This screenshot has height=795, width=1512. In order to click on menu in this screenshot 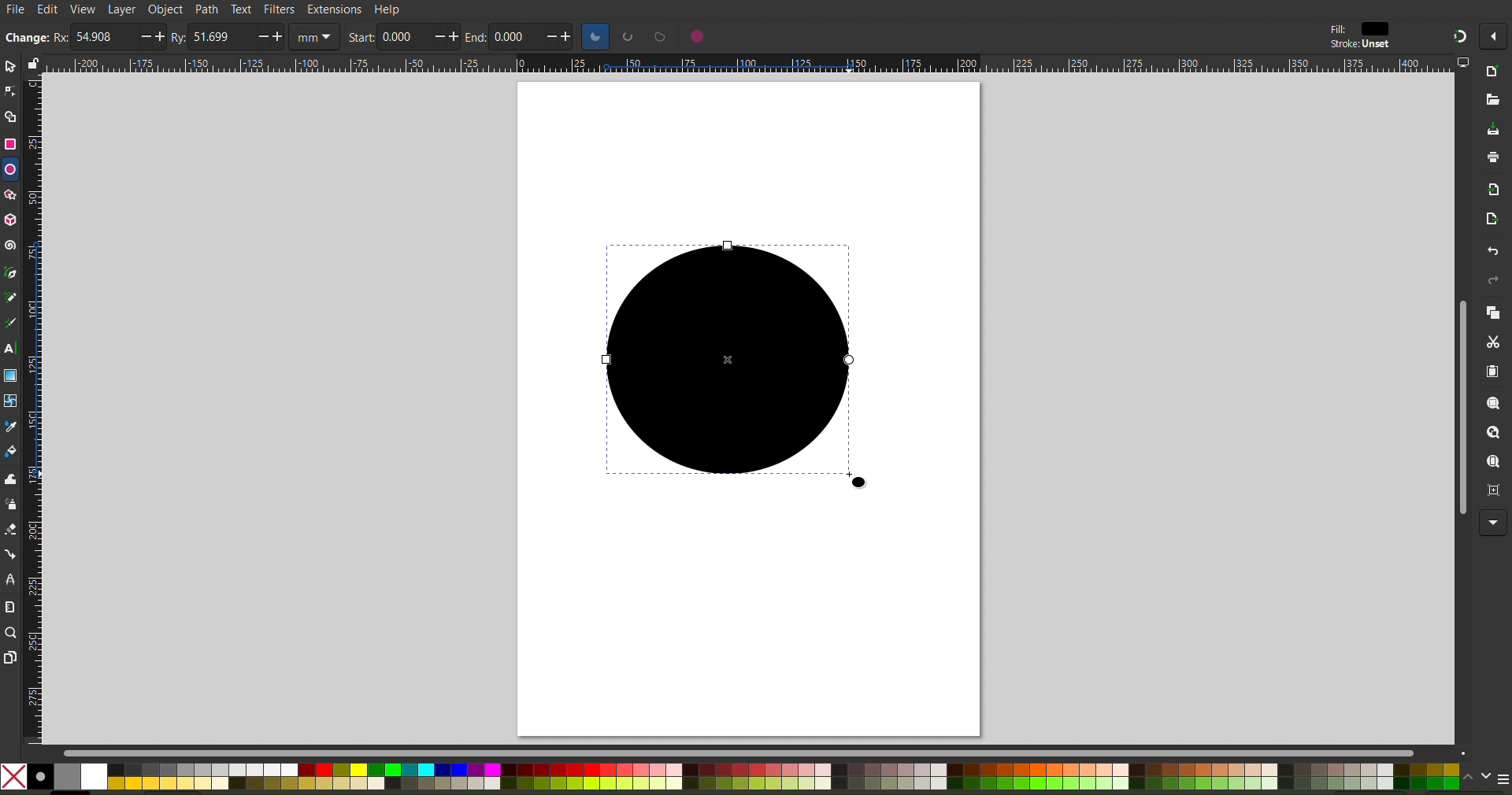, I will do `click(1503, 780)`.